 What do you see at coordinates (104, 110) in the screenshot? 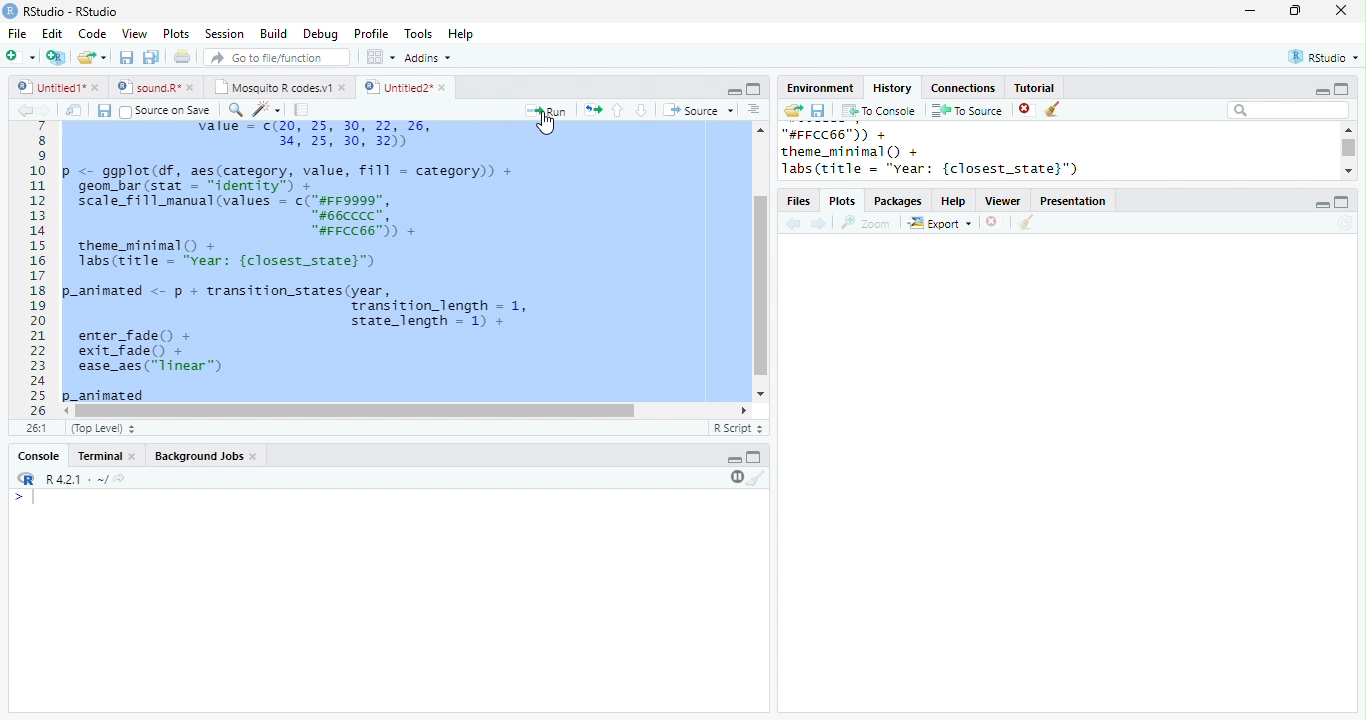
I see `save` at bounding box center [104, 110].